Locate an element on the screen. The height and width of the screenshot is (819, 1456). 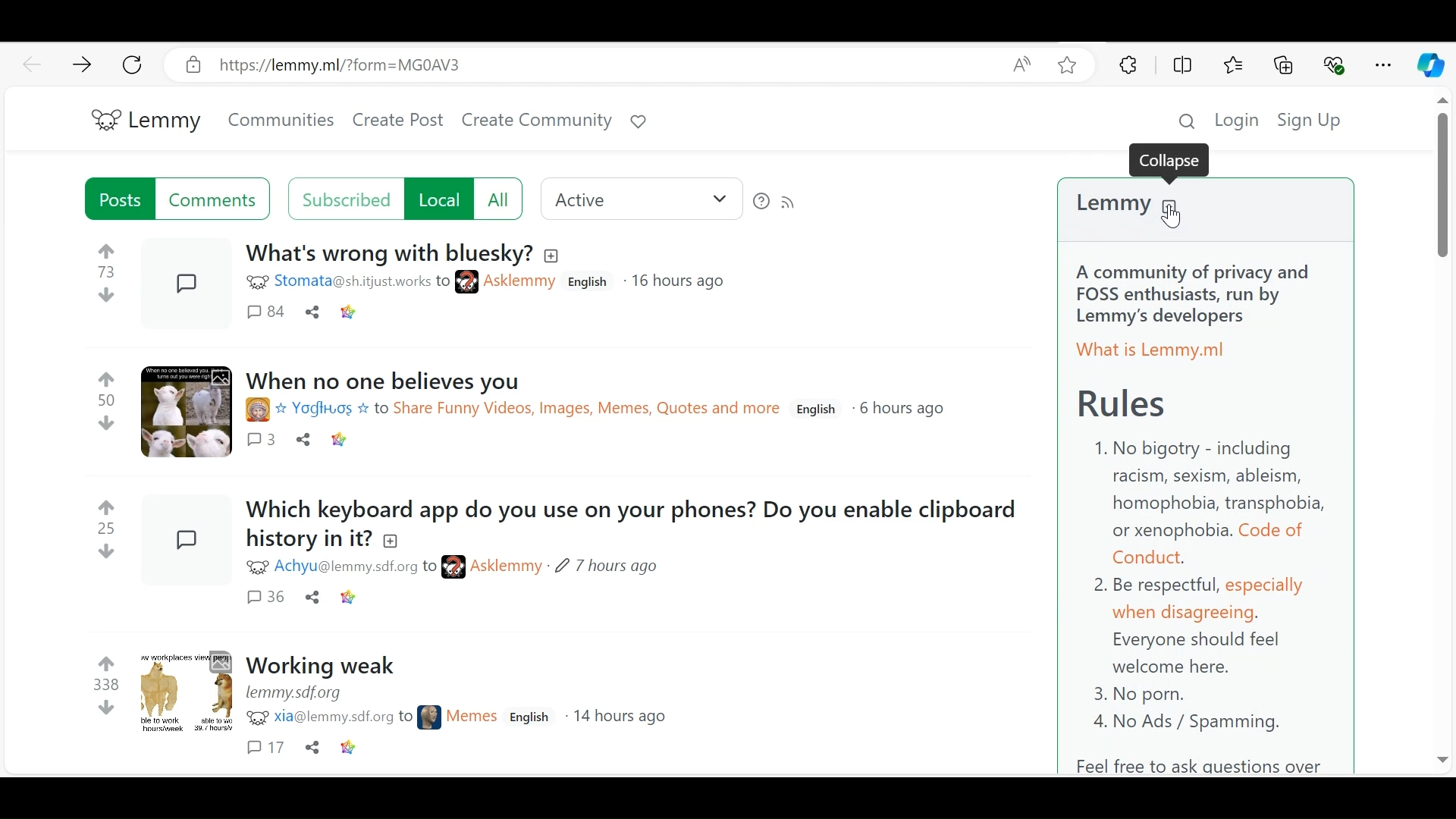
Subscribed is located at coordinates (344, 199).